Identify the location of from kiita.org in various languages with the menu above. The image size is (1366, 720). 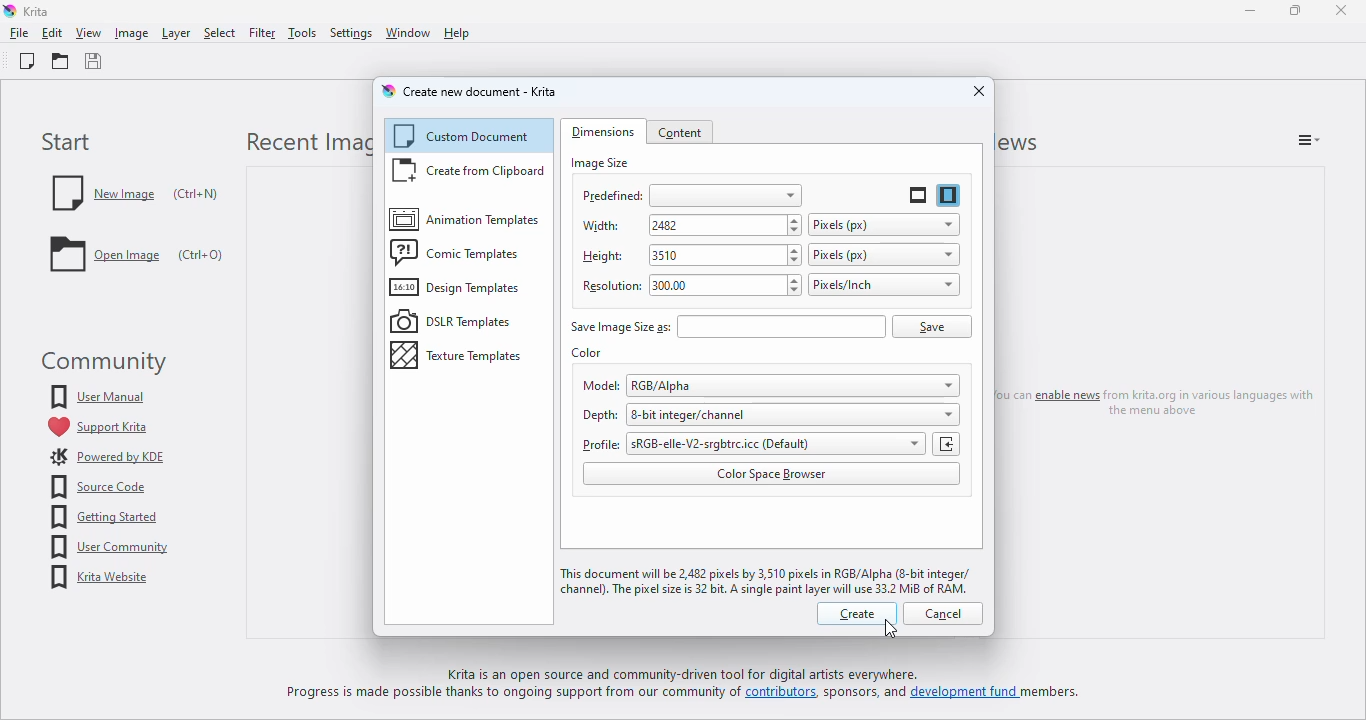
(1215, 402).